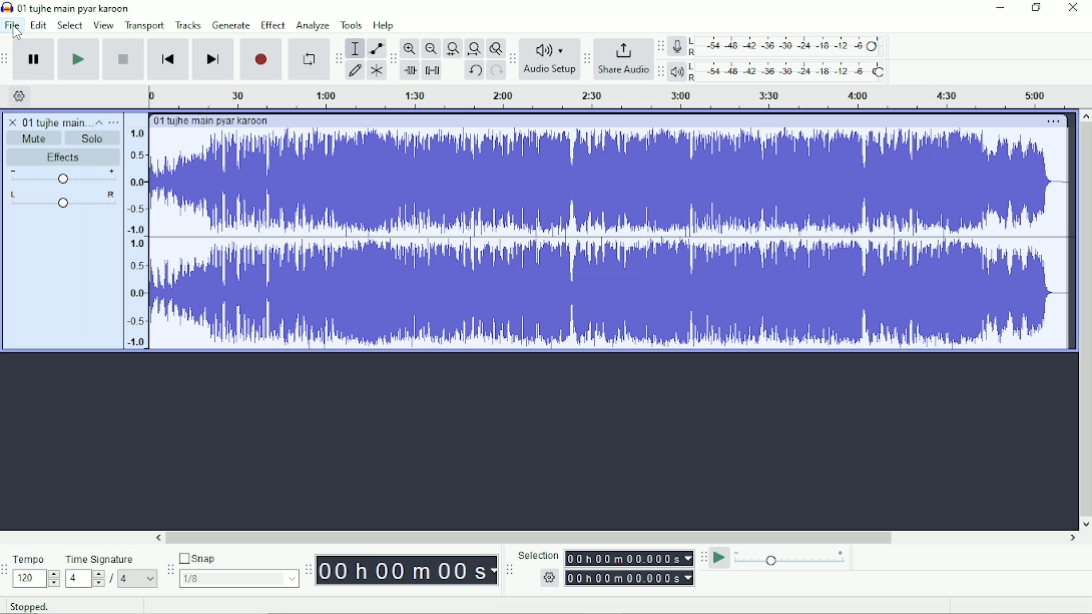 This screenshot has width=1092, height=614. What do you see at coordinates (495, 48) in the screenshot?
I see `Zoom toggle` at bounding box center [495, 48].